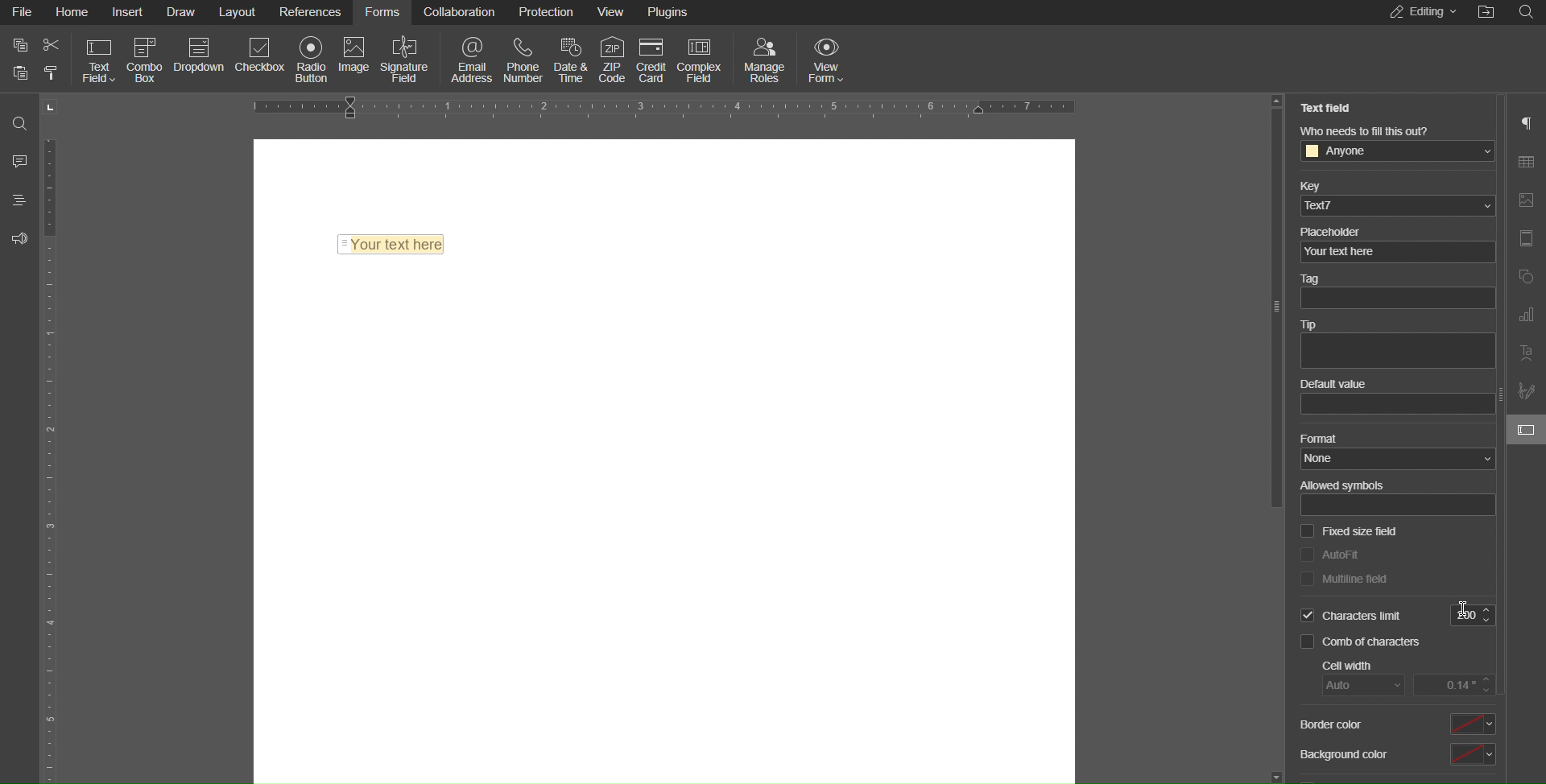 This screenshot has height=784, width=1546. Describe the element at coordinates (96, 60) in the screenshot. I see `Text Field` at that location.